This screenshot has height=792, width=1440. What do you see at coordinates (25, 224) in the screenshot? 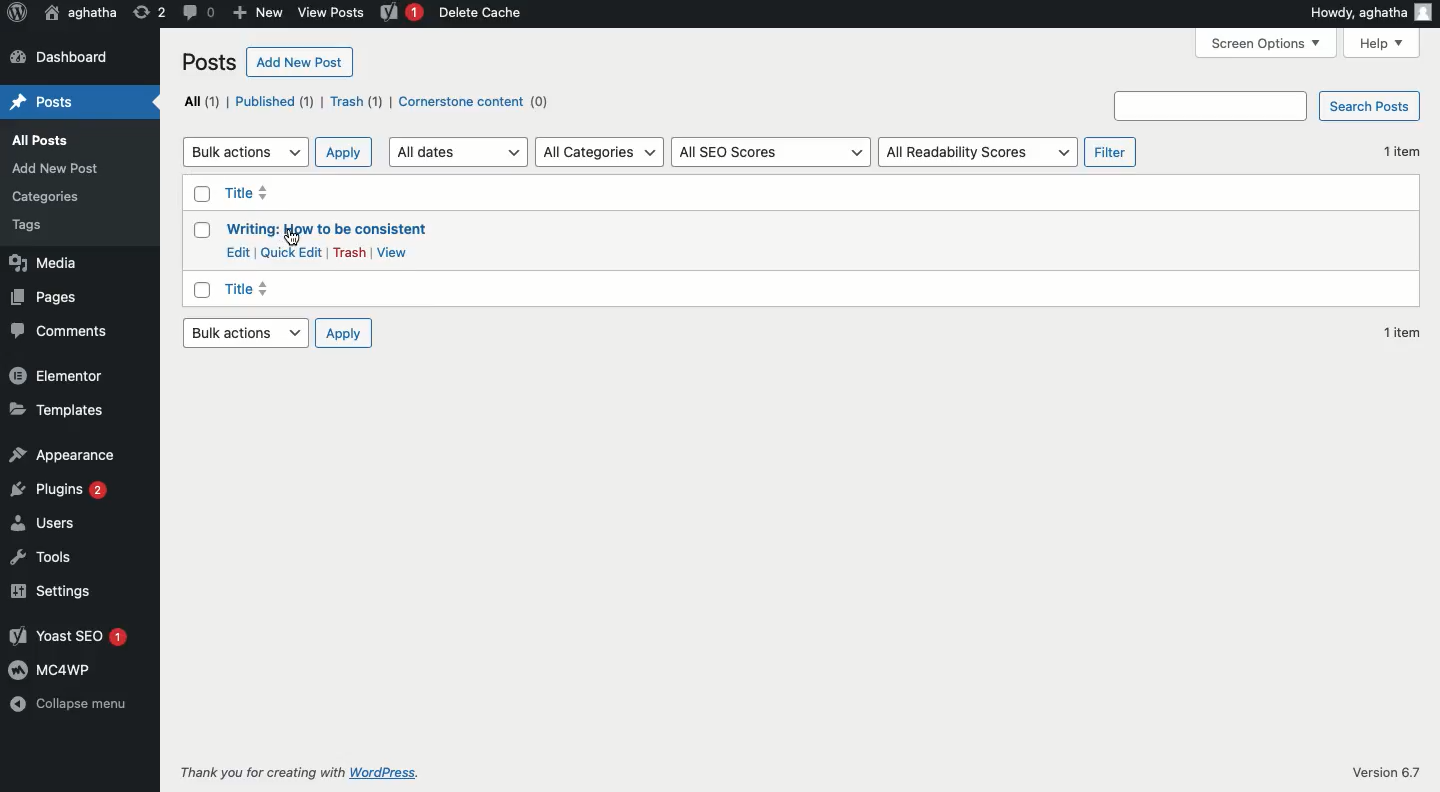
I see `Tags` at bounding box center [25, 224].